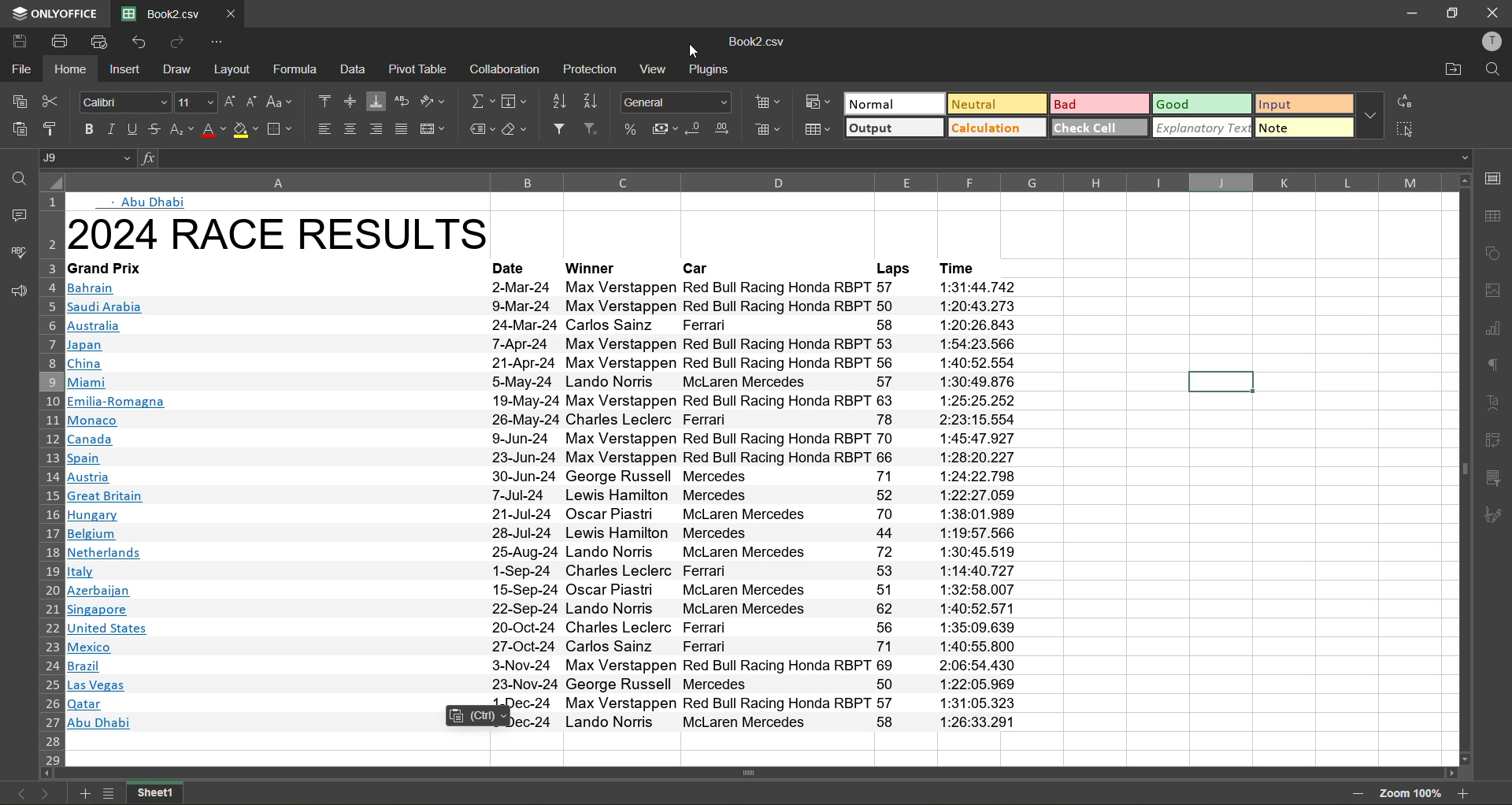 The image size is (1512, 805). What do you see at coordinates (807, 159) in the screenshot?
I see `formula bar` at bounding box center [807, 159].